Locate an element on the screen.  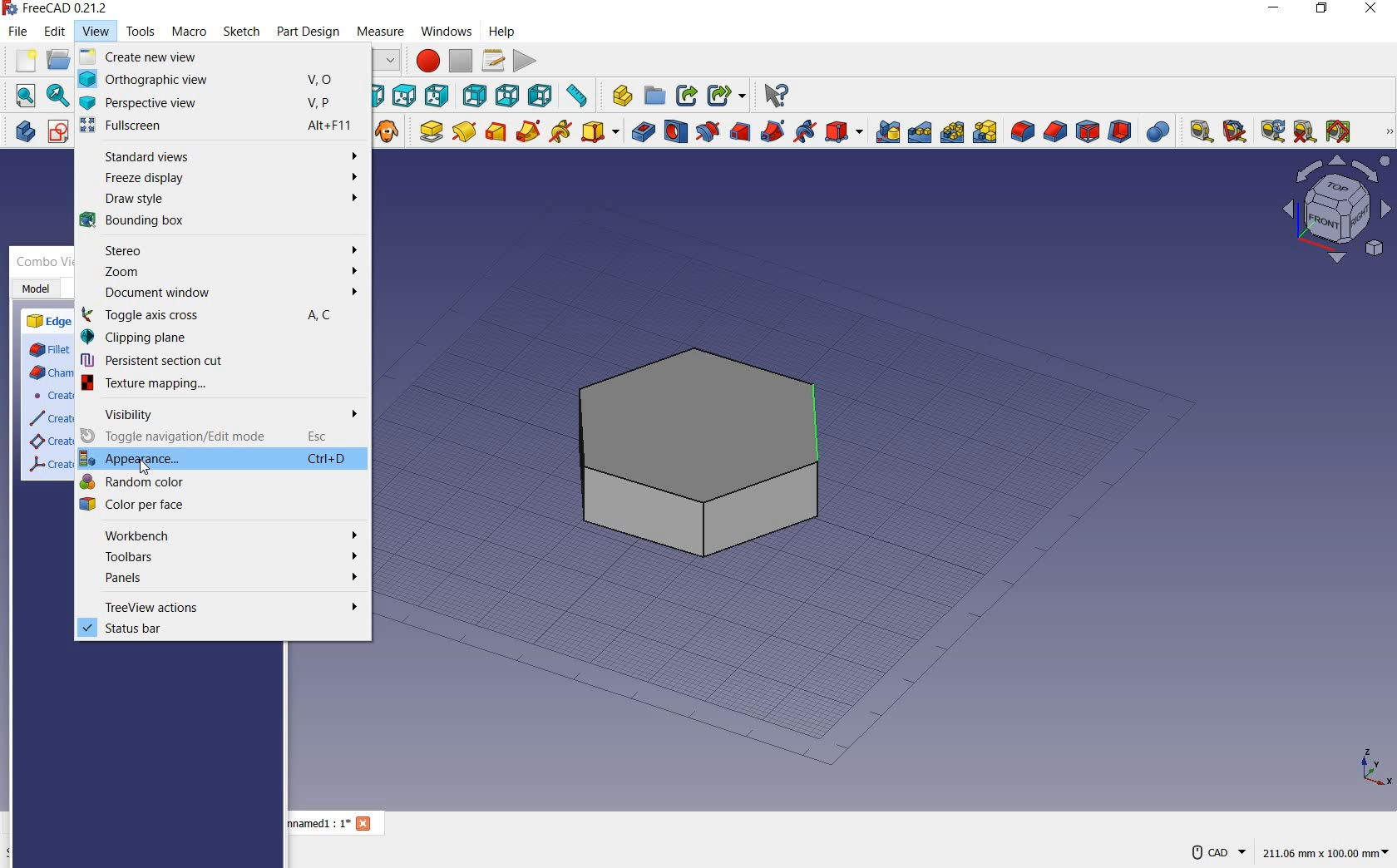
draw style is located at coordinates (224, 199).